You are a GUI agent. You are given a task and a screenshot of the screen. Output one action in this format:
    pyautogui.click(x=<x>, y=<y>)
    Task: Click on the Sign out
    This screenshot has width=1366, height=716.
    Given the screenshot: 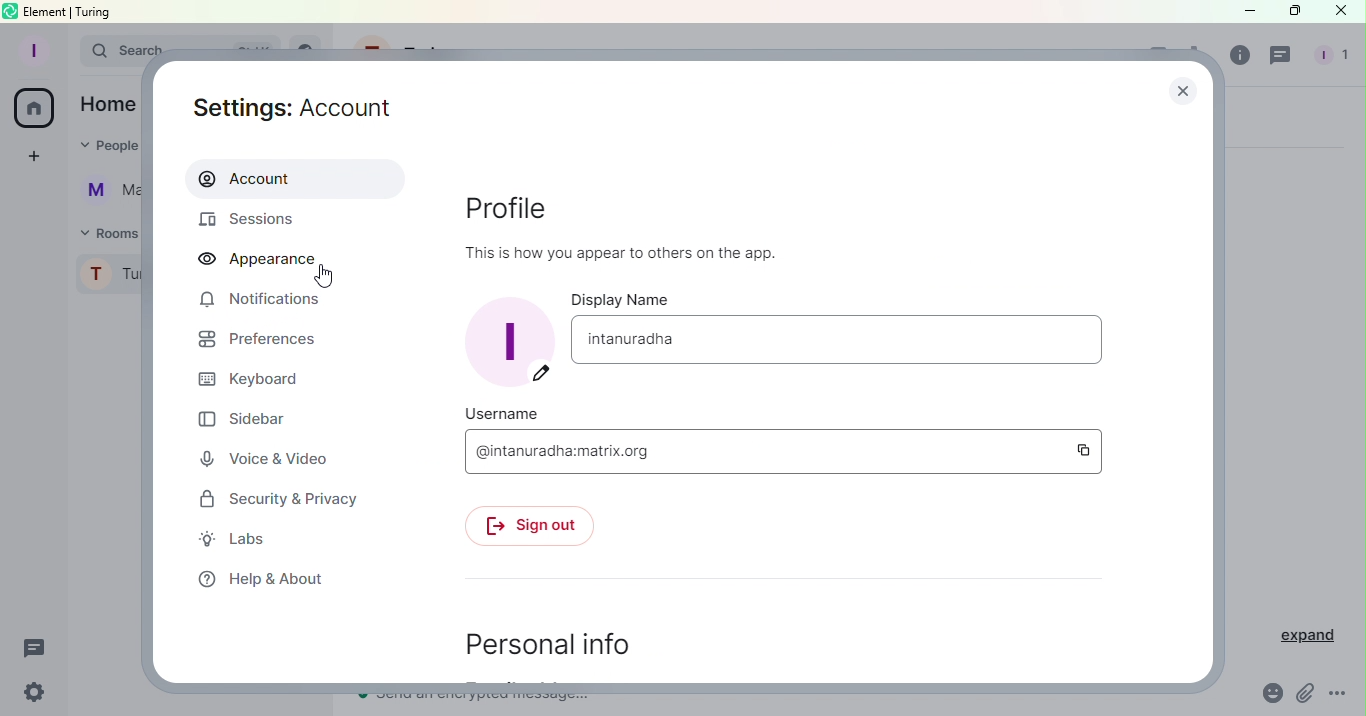 What is the action you would take?
    pyautogui.click(x=526, y=527)
    